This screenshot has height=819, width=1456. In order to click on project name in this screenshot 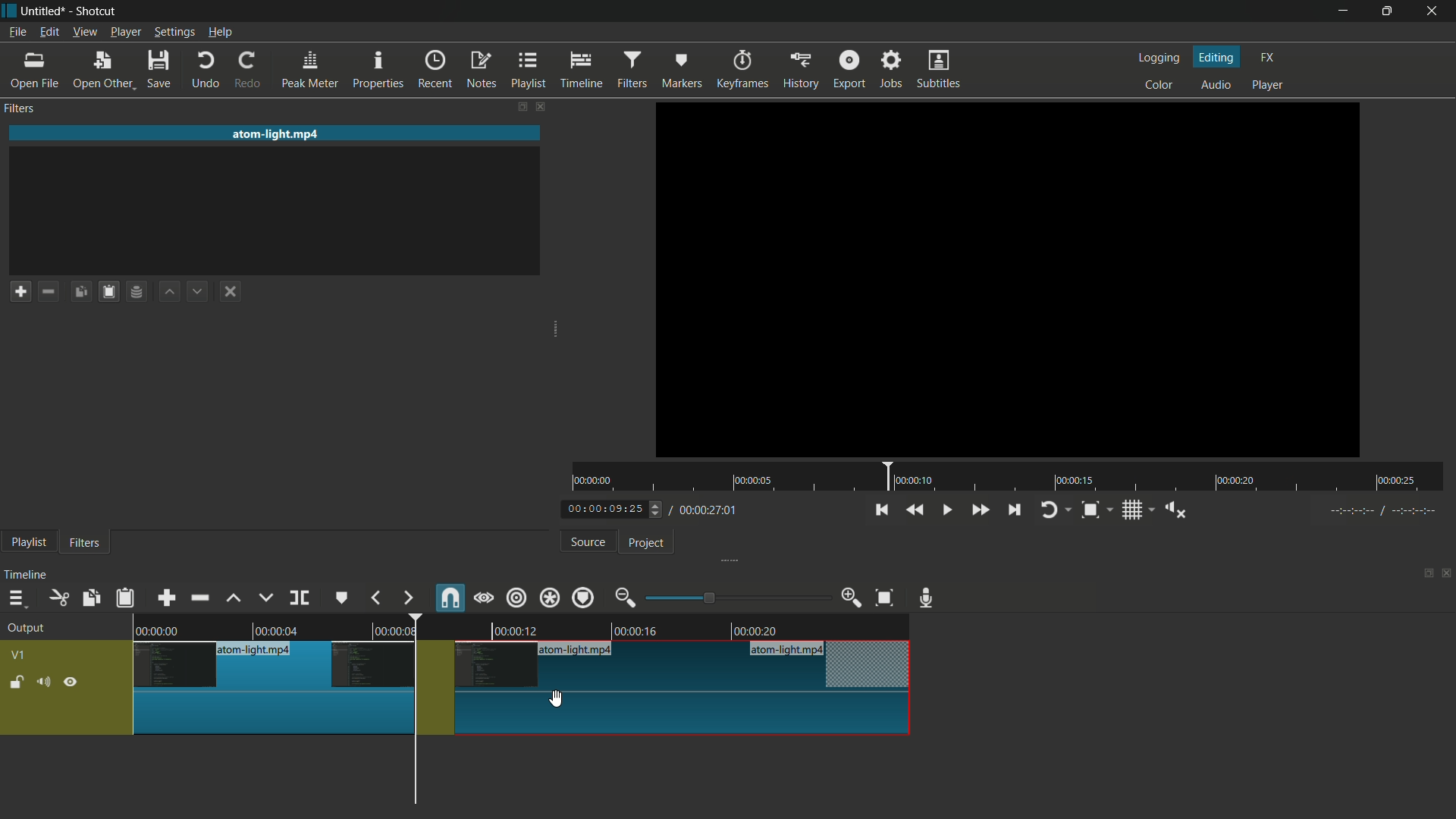, I will do `click(46, 11)`.